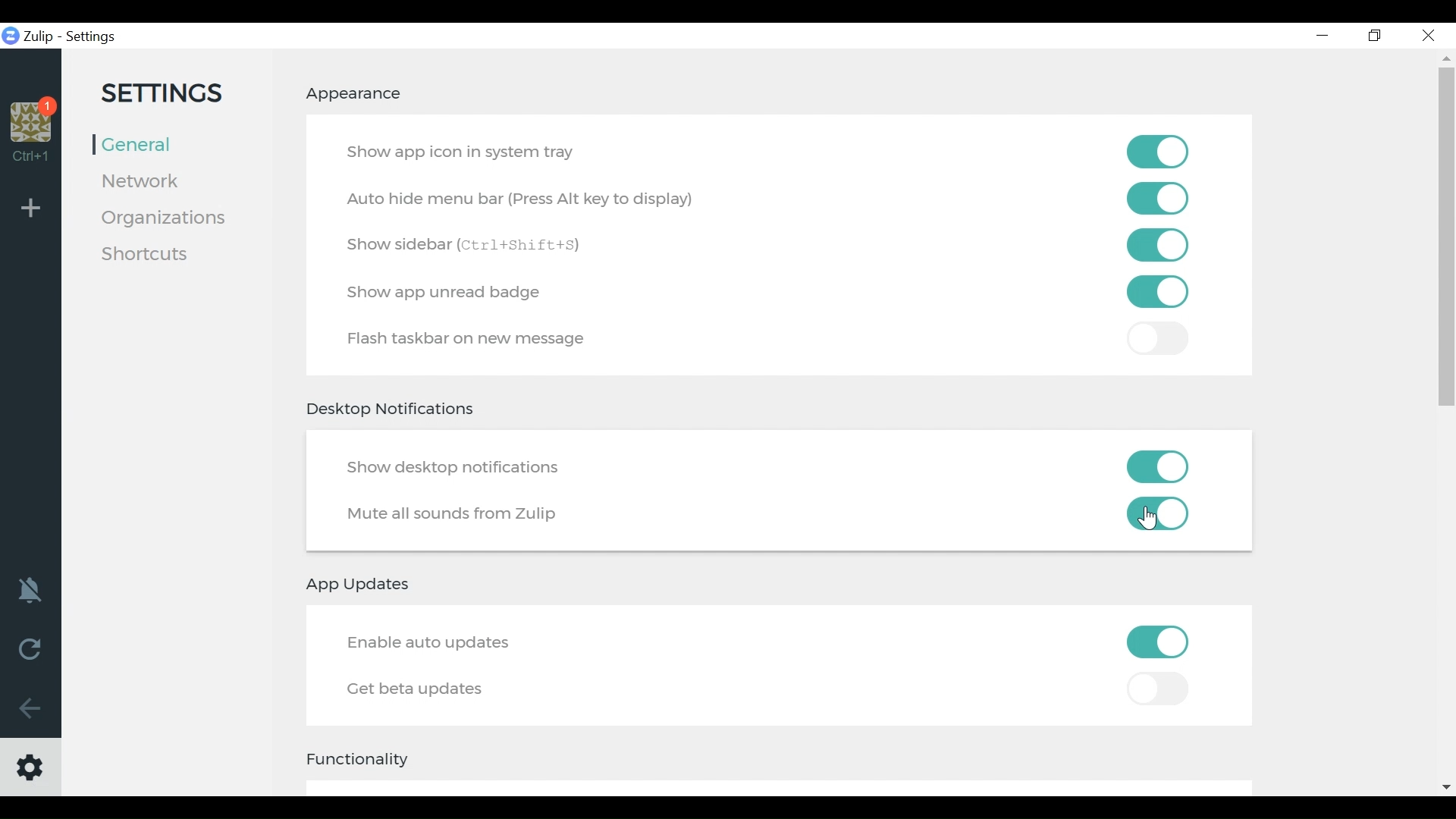 The height and width of the screenshot is (819, 1456). I want to click on Toggle on/off Enable auto updates, so click(1157, 642).